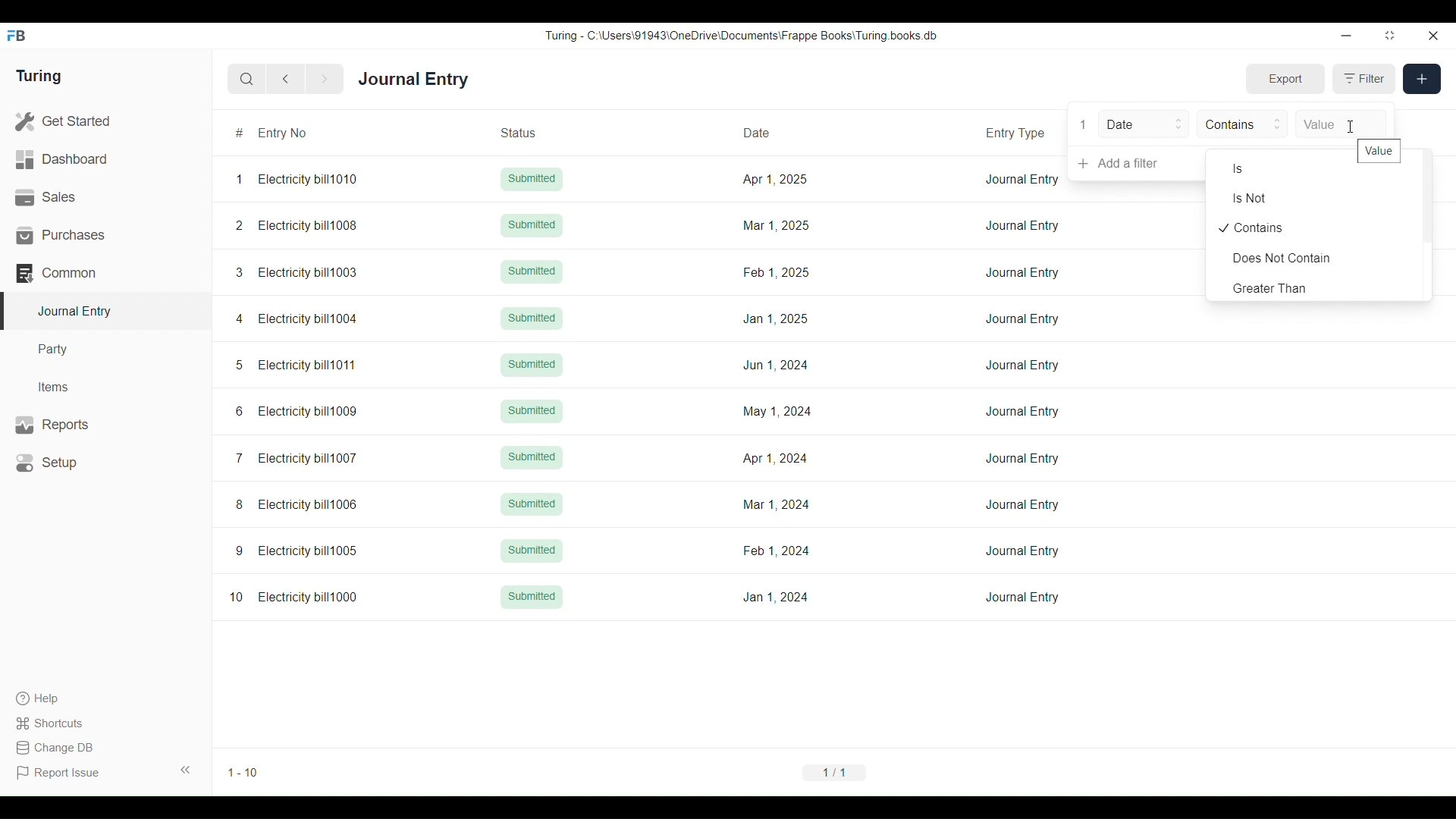 The width and height of the screenshot is (1456, 819). Describe the element at coordinates (1422, 79) in the screenshot. I see `New entry` at that location.